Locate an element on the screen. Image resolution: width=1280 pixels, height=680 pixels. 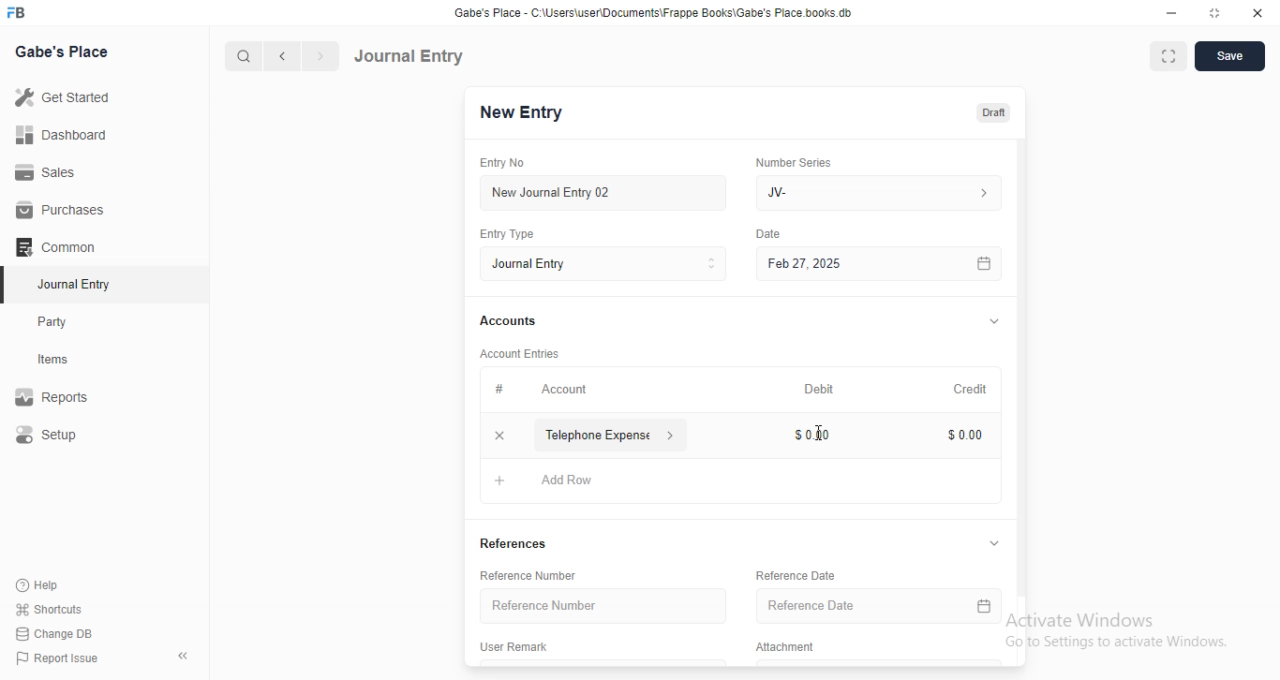
# is located at coordinates (499, 388).